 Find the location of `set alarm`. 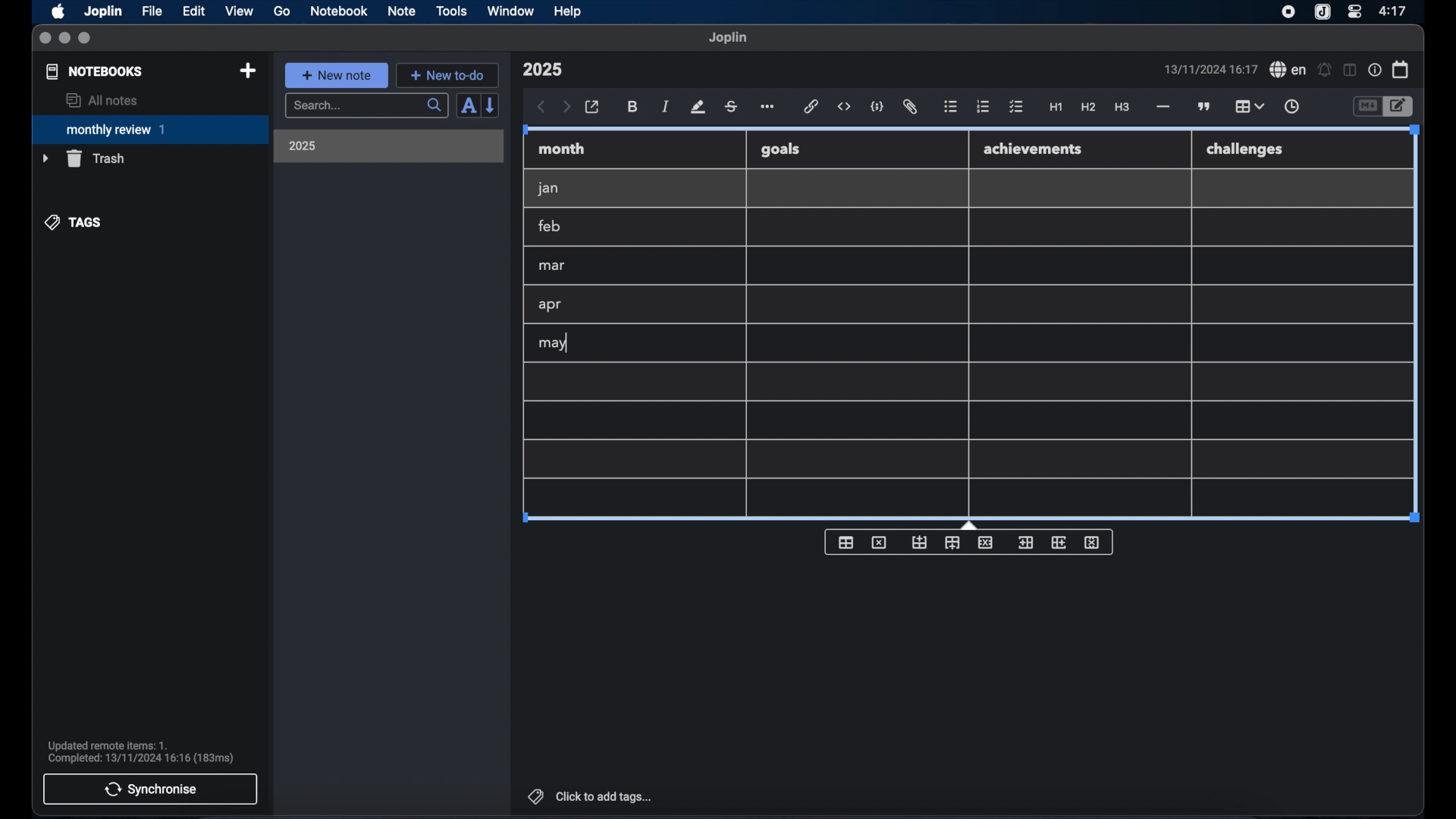

set alarm is located at coordinates (1325, 71).